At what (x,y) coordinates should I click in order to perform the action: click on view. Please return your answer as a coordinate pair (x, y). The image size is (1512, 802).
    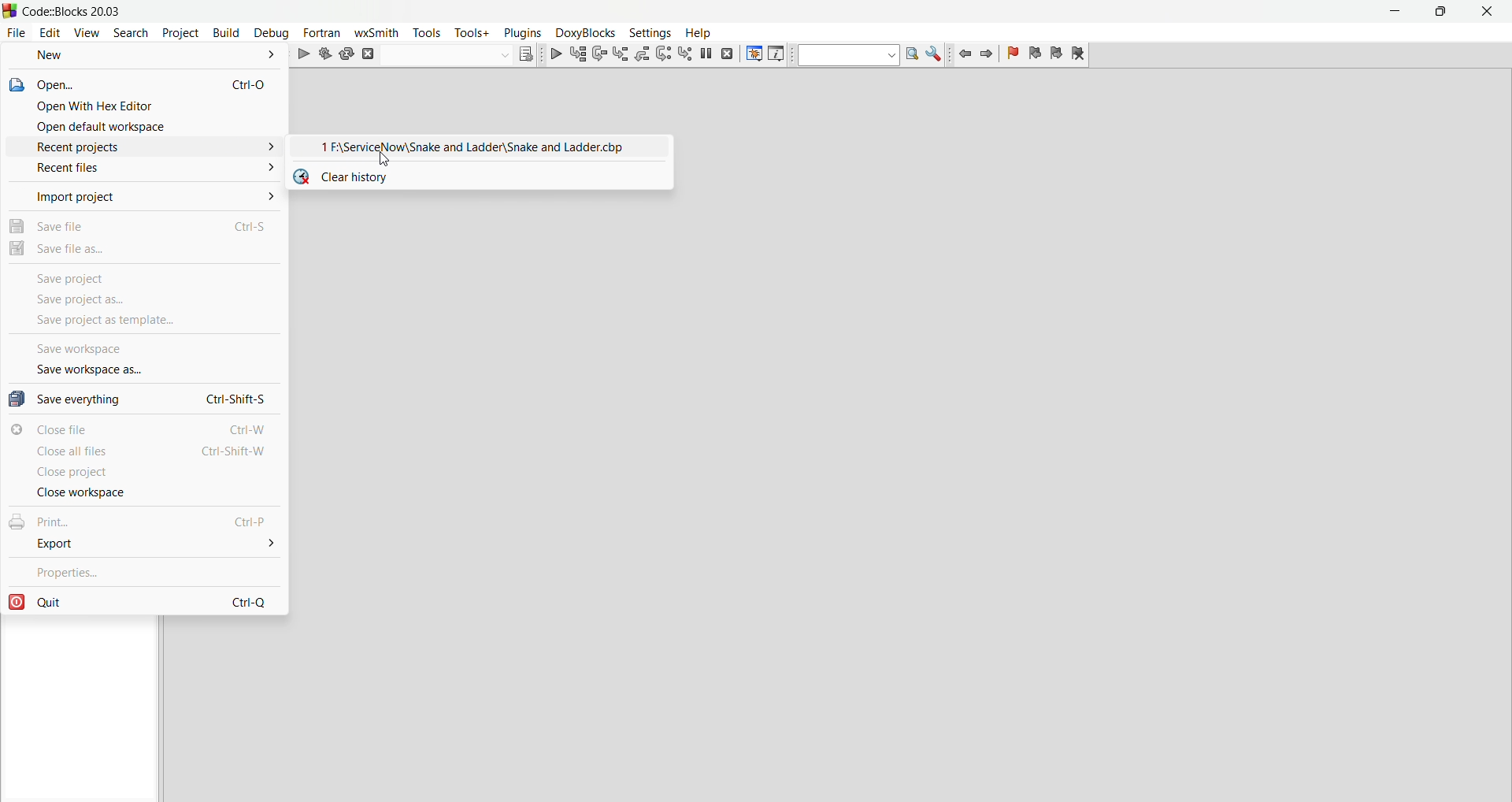
    Looking at the image, I should click on (88, 33).